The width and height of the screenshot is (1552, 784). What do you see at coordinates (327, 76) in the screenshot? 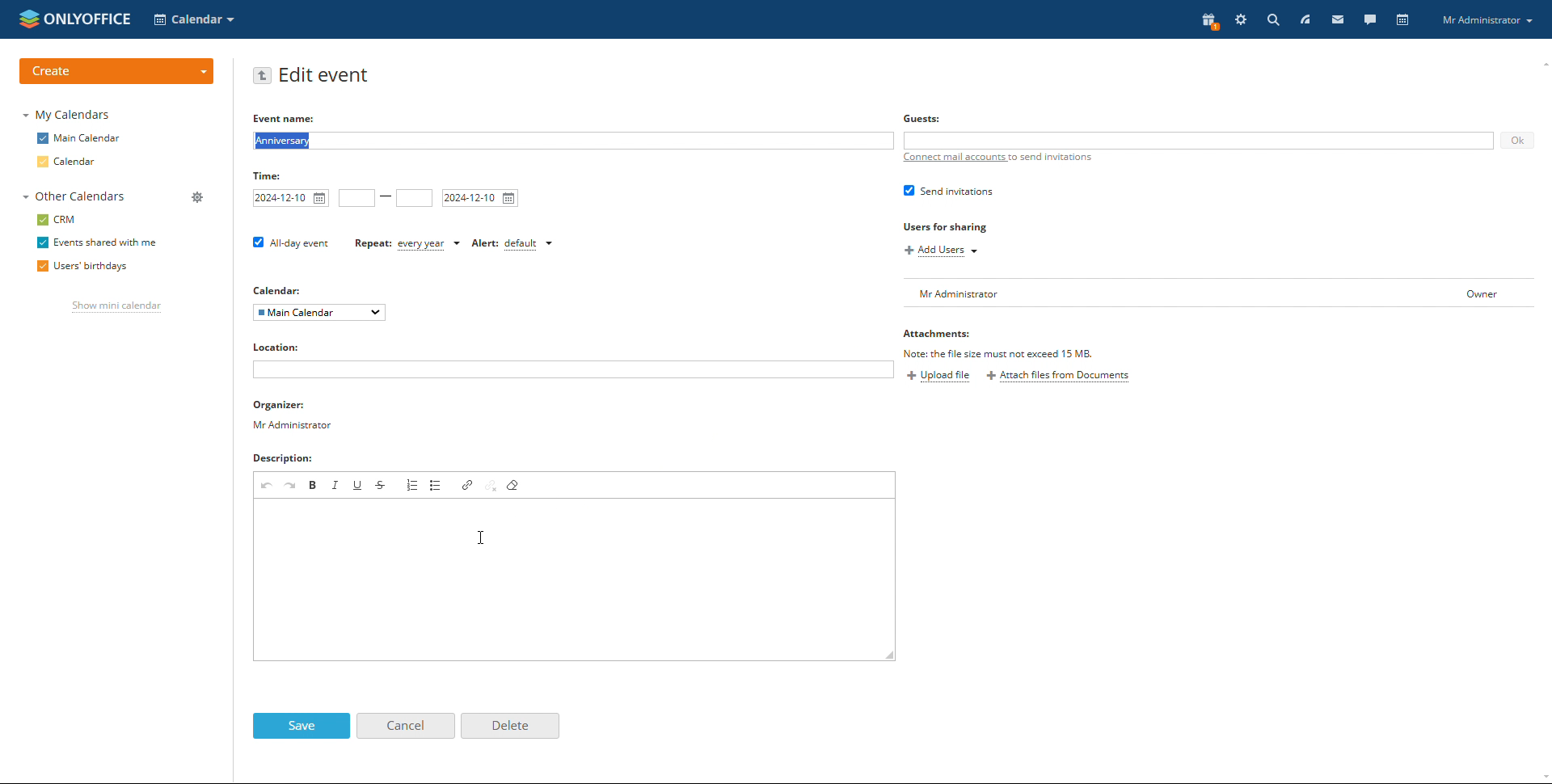
I see `edit event` at bounding box center [327, 76].